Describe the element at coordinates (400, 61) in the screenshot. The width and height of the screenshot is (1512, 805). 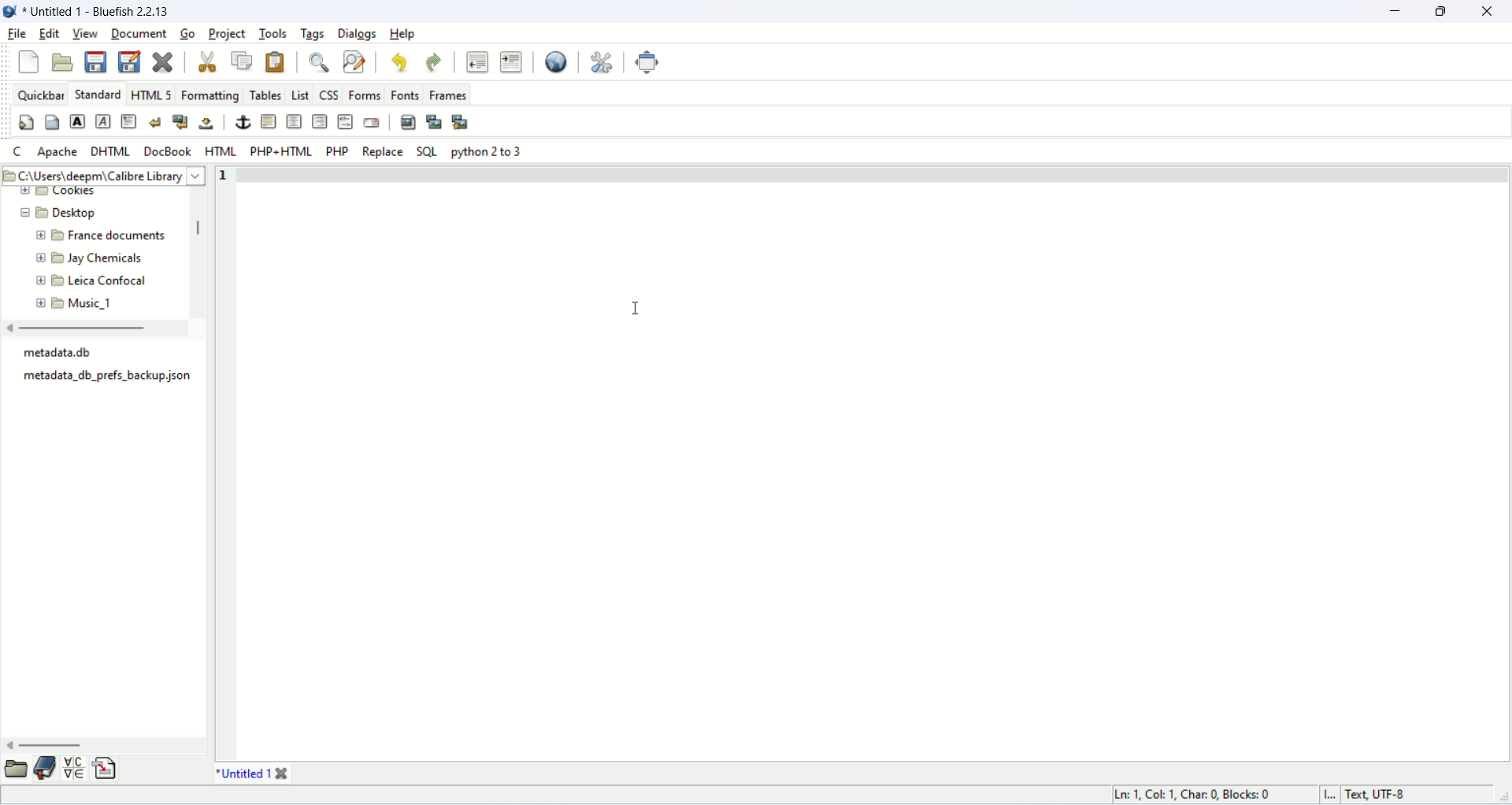
I see `undo` at that location.